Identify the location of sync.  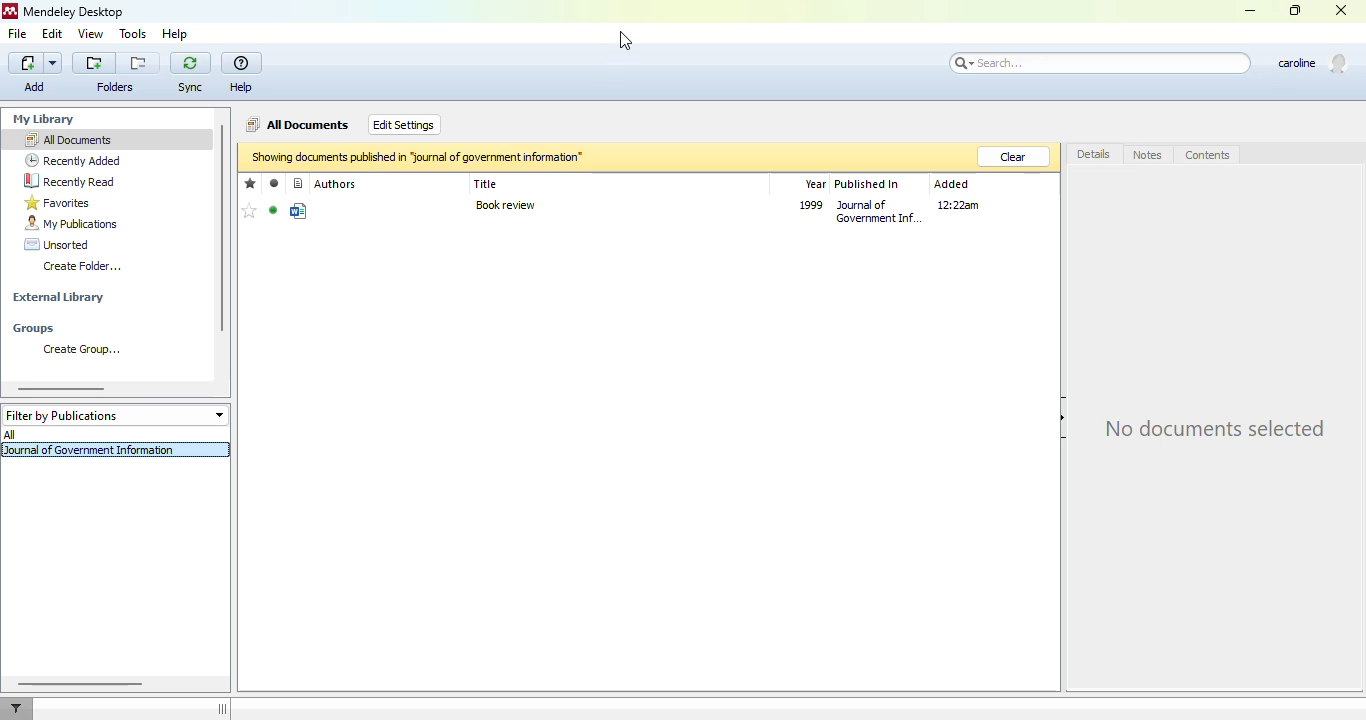
(190, 73).